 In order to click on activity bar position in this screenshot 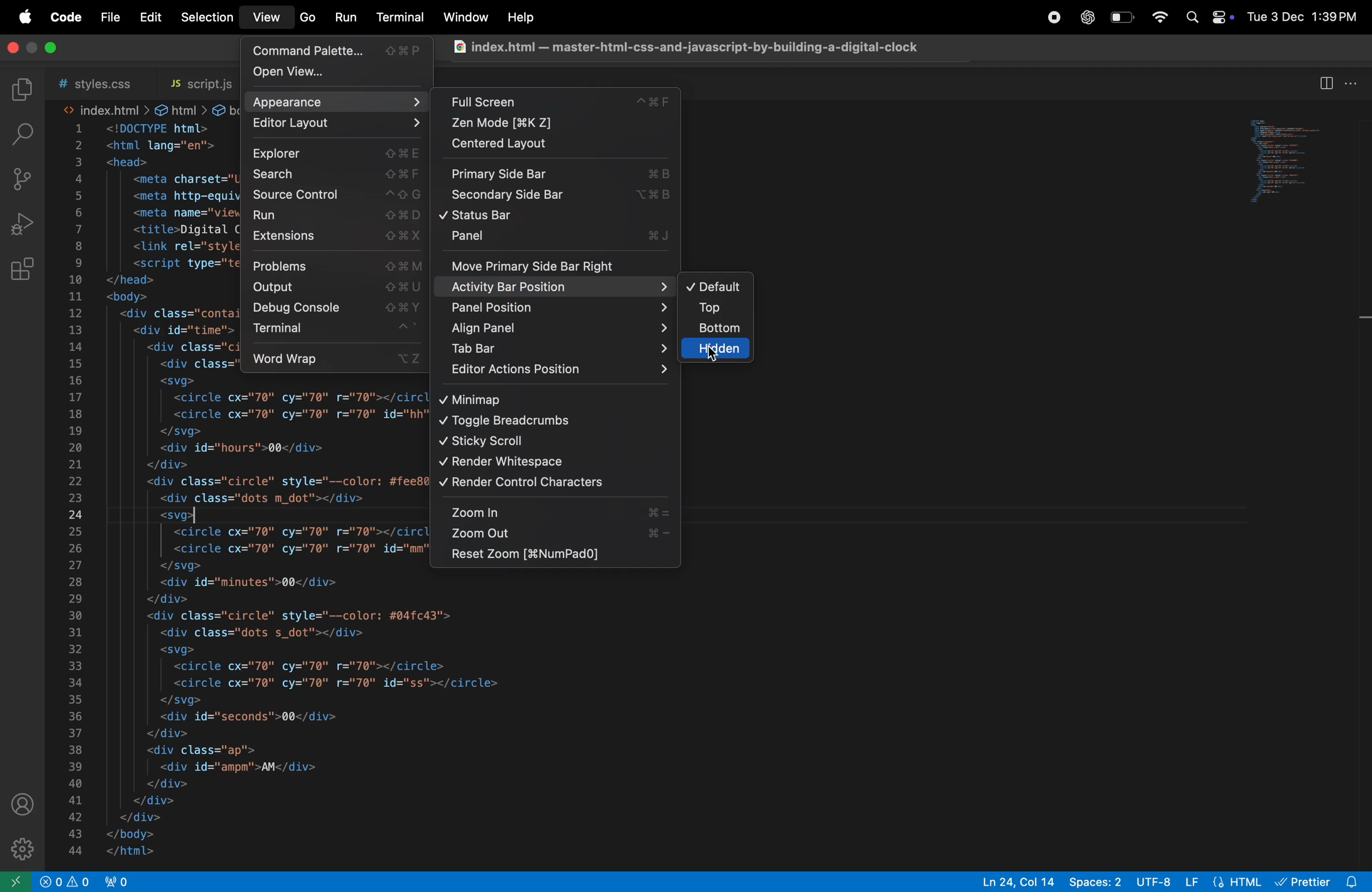, I will do `click(555, 289)`.